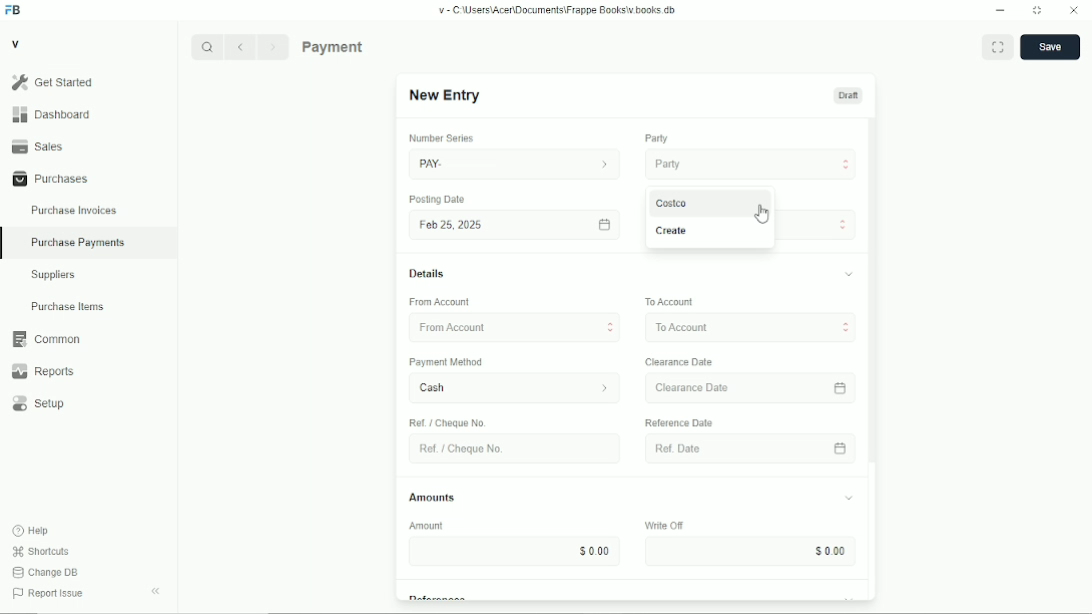 This screenshot has width=1092, height=614. What do you see at coordinates (656, 138) in the screenshot?
I see `Party` at bounding box center [656, 138].